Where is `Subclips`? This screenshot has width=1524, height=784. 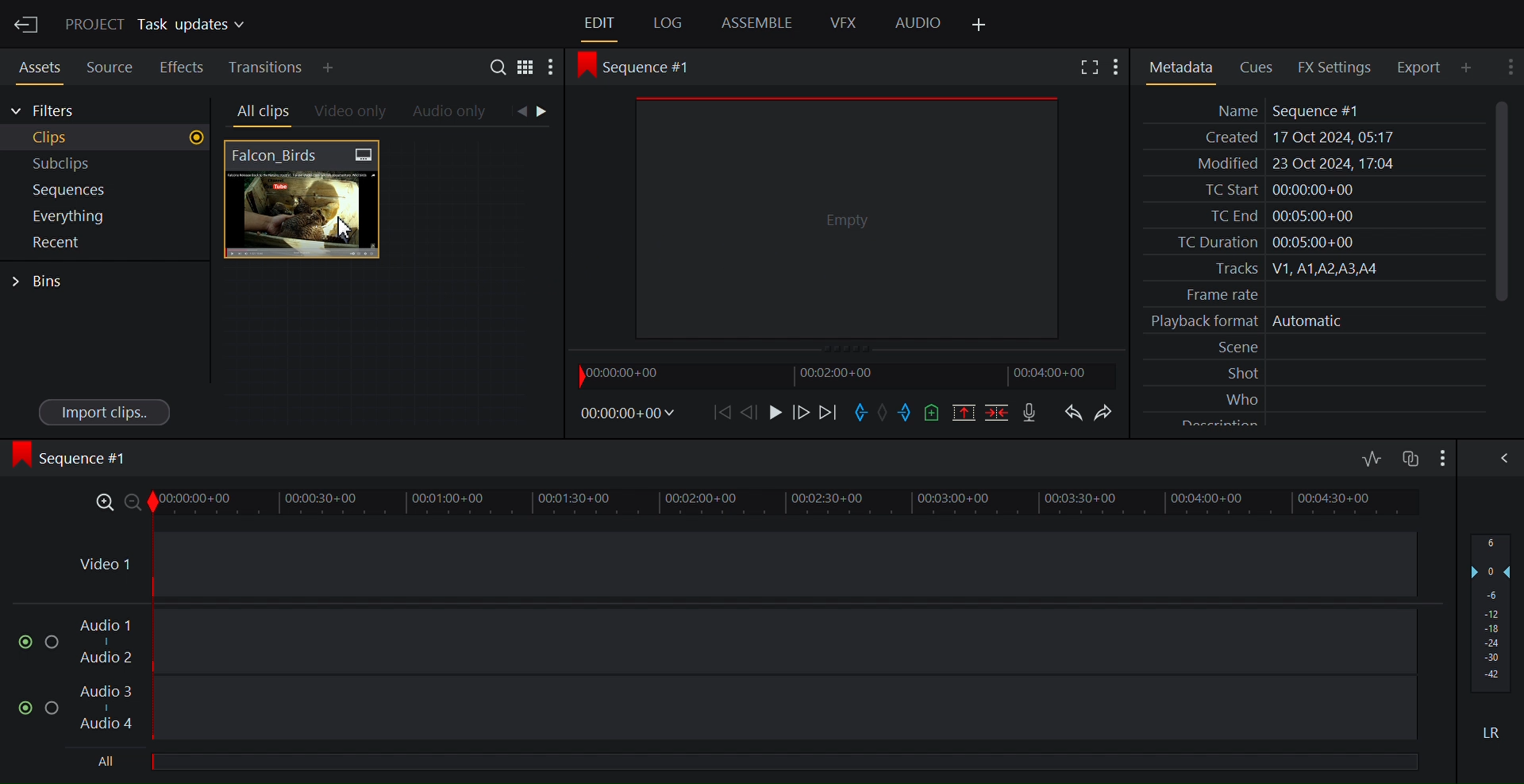 Subclips is located at coordinates (106, 164).